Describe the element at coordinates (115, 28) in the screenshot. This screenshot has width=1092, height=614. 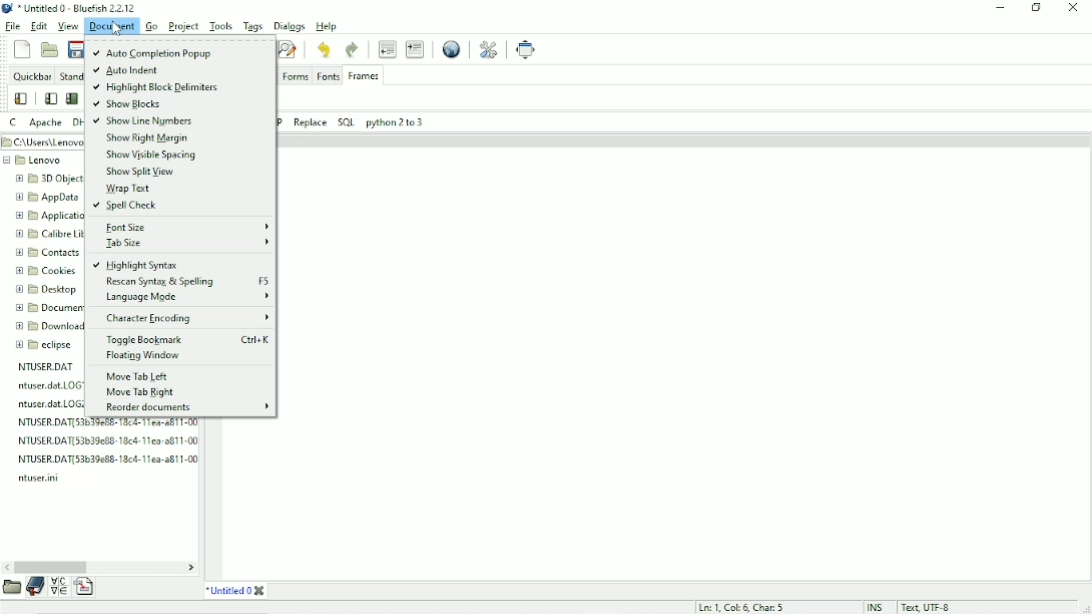
I see `Cursor on Document` at that location.